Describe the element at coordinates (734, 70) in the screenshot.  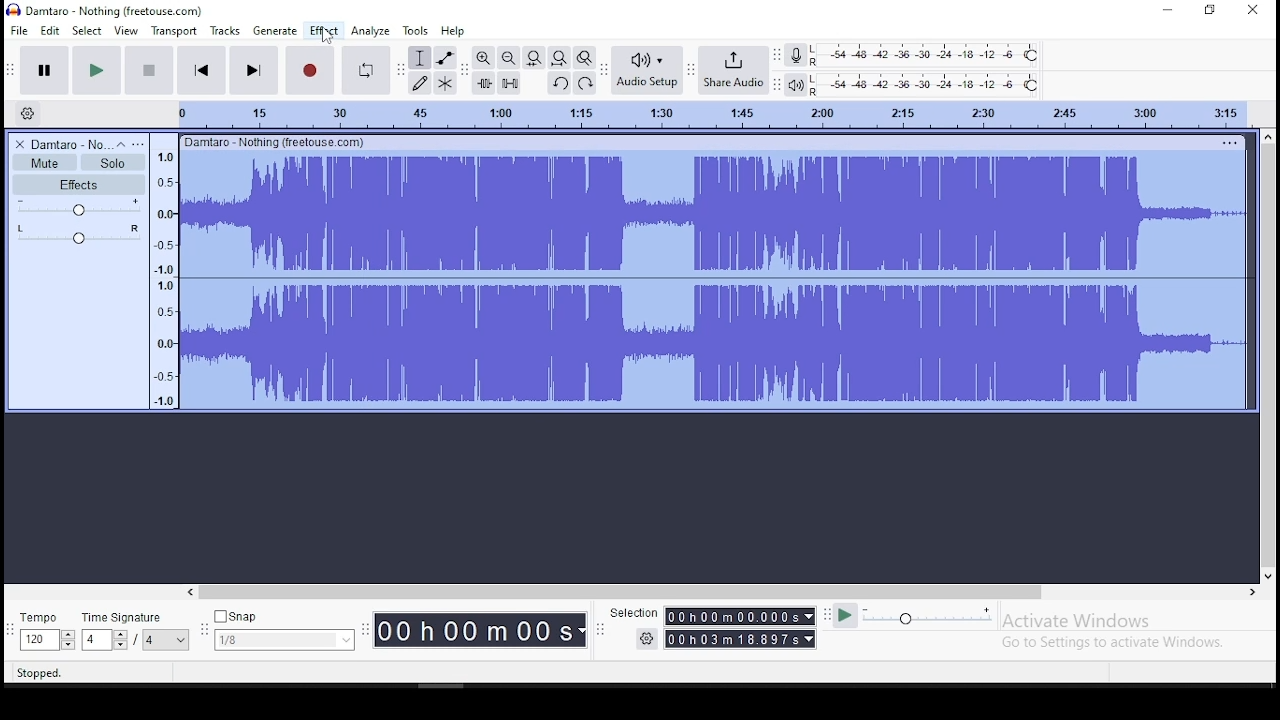
I see `share audio` at that location.